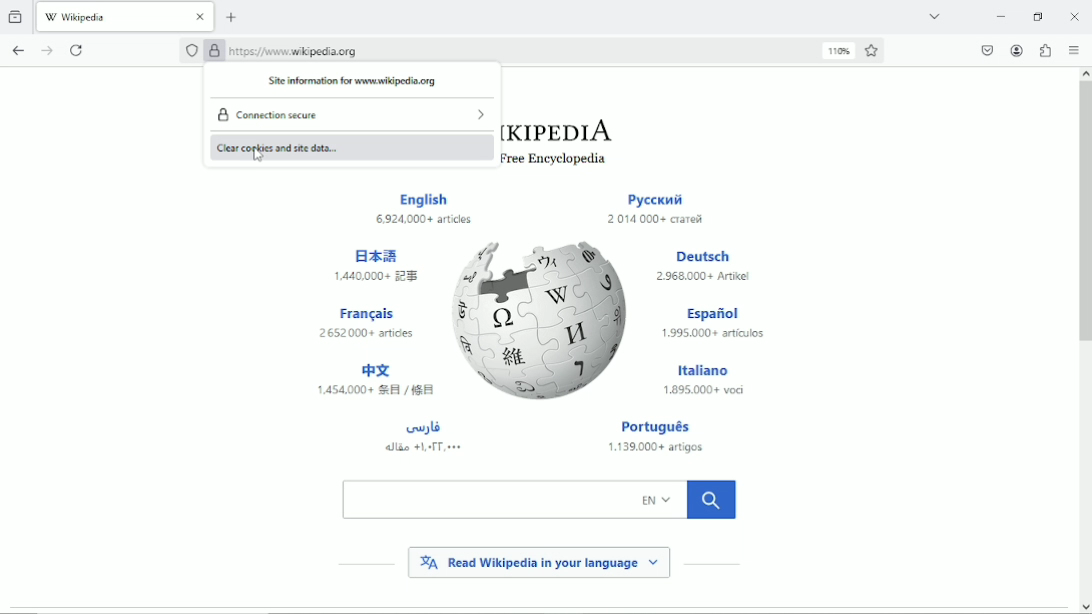  I want to click on Deutsch2968.000+ Artikel, so click(703, 266).